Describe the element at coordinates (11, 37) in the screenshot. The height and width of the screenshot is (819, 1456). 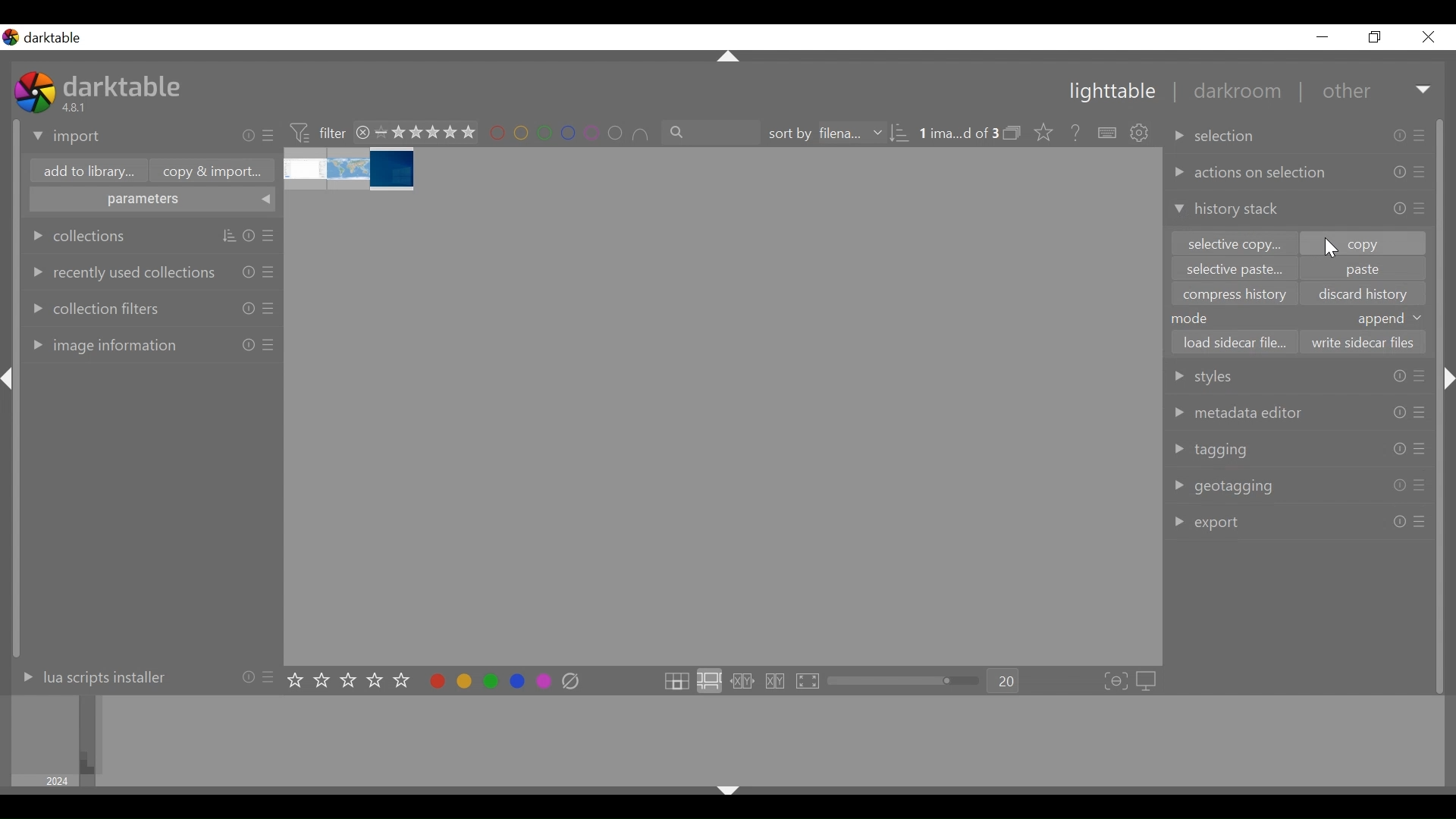
I see `logo` at that location.